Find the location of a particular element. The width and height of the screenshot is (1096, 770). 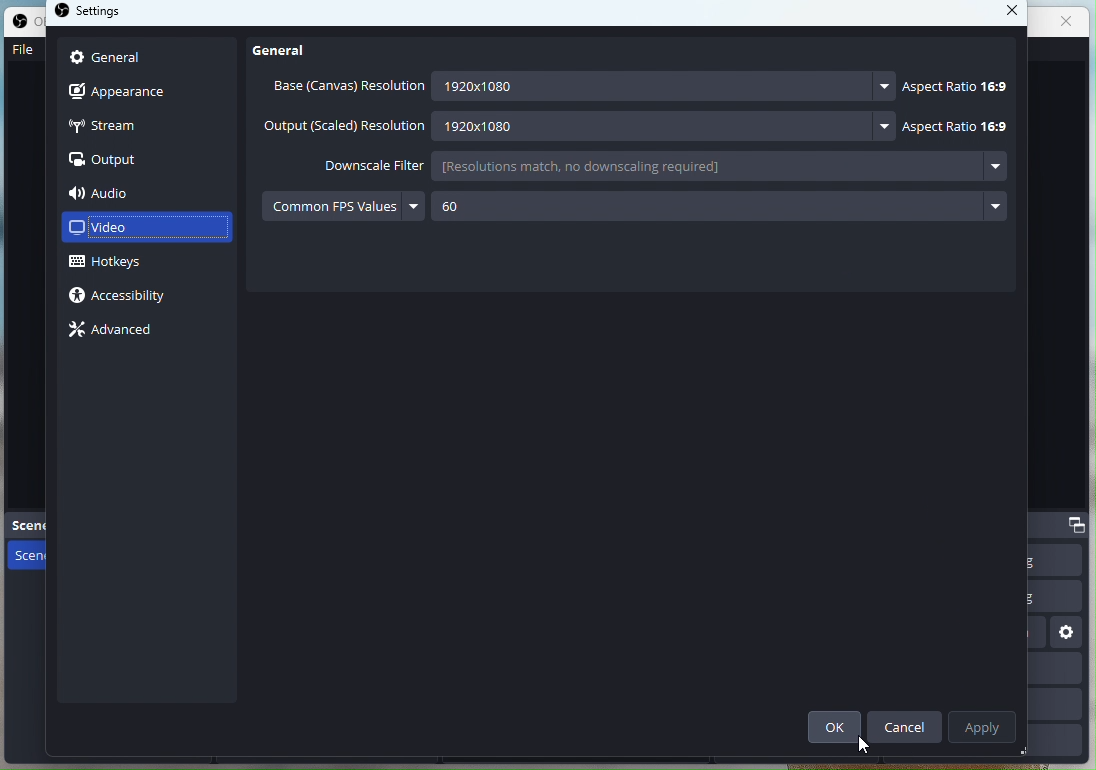

Output (scaled) resolution is located at coordinates (345, 126).